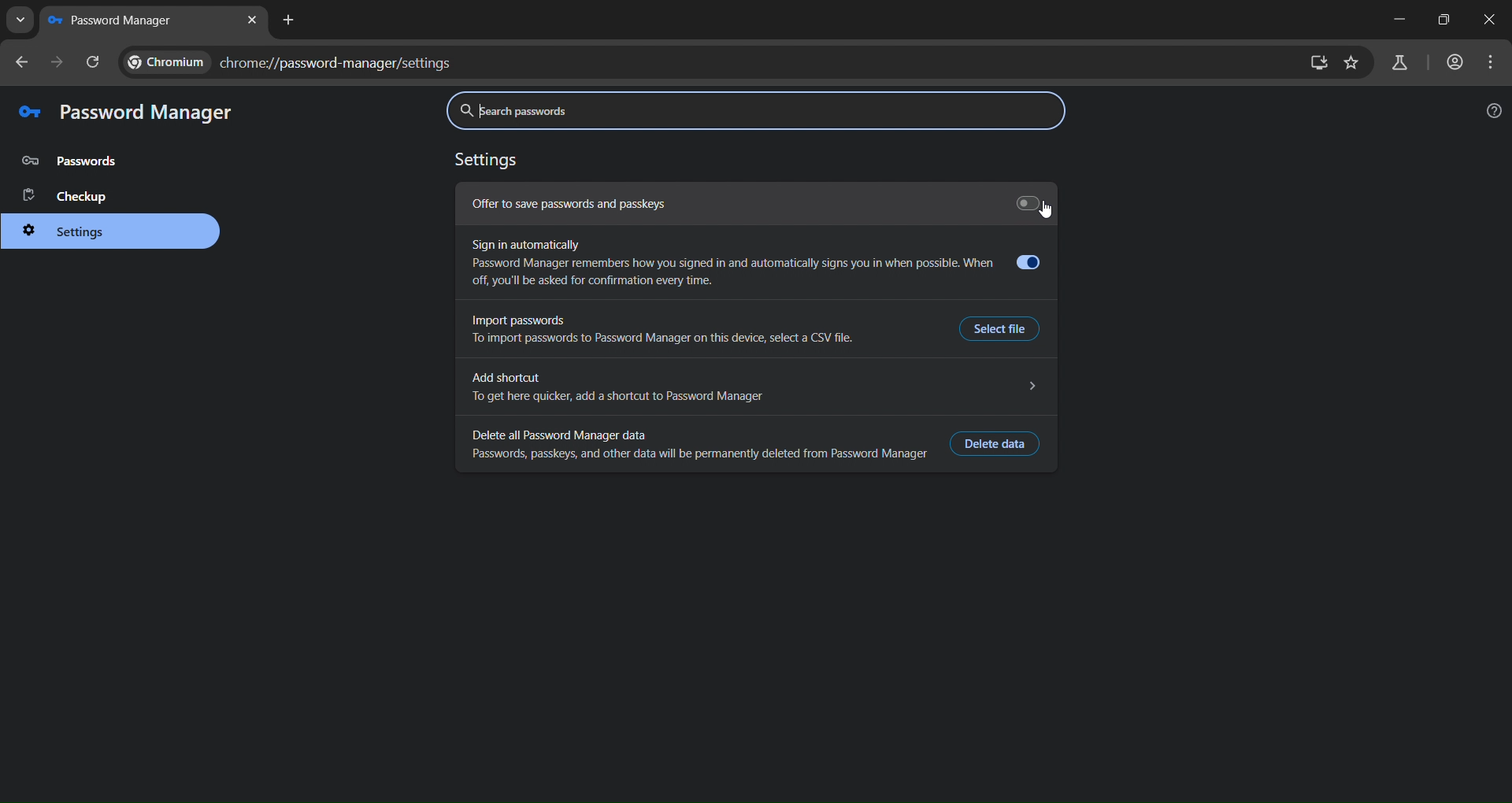  What do you see at coordinates (730, 263) in the screenshot?
I see `Sign in automatically
Password Manager remembers how you signed in and automatically signs you in when possible. When
off, you'll be asked for confirmation every time.` at bounding box center [730, 263].